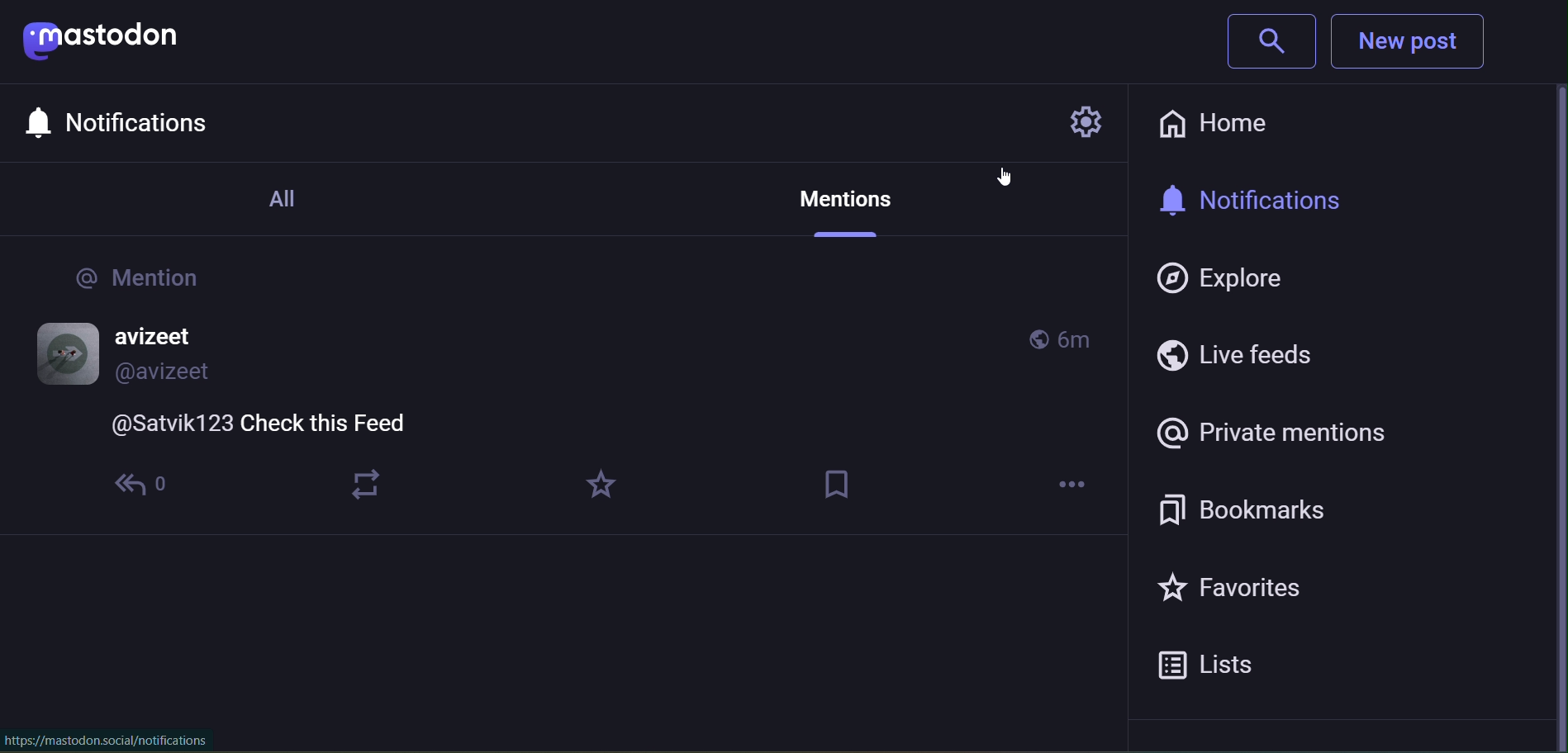 The width and height of the screenshot is (1568, 753). I want to click on @avizeet, so click(168, 369).